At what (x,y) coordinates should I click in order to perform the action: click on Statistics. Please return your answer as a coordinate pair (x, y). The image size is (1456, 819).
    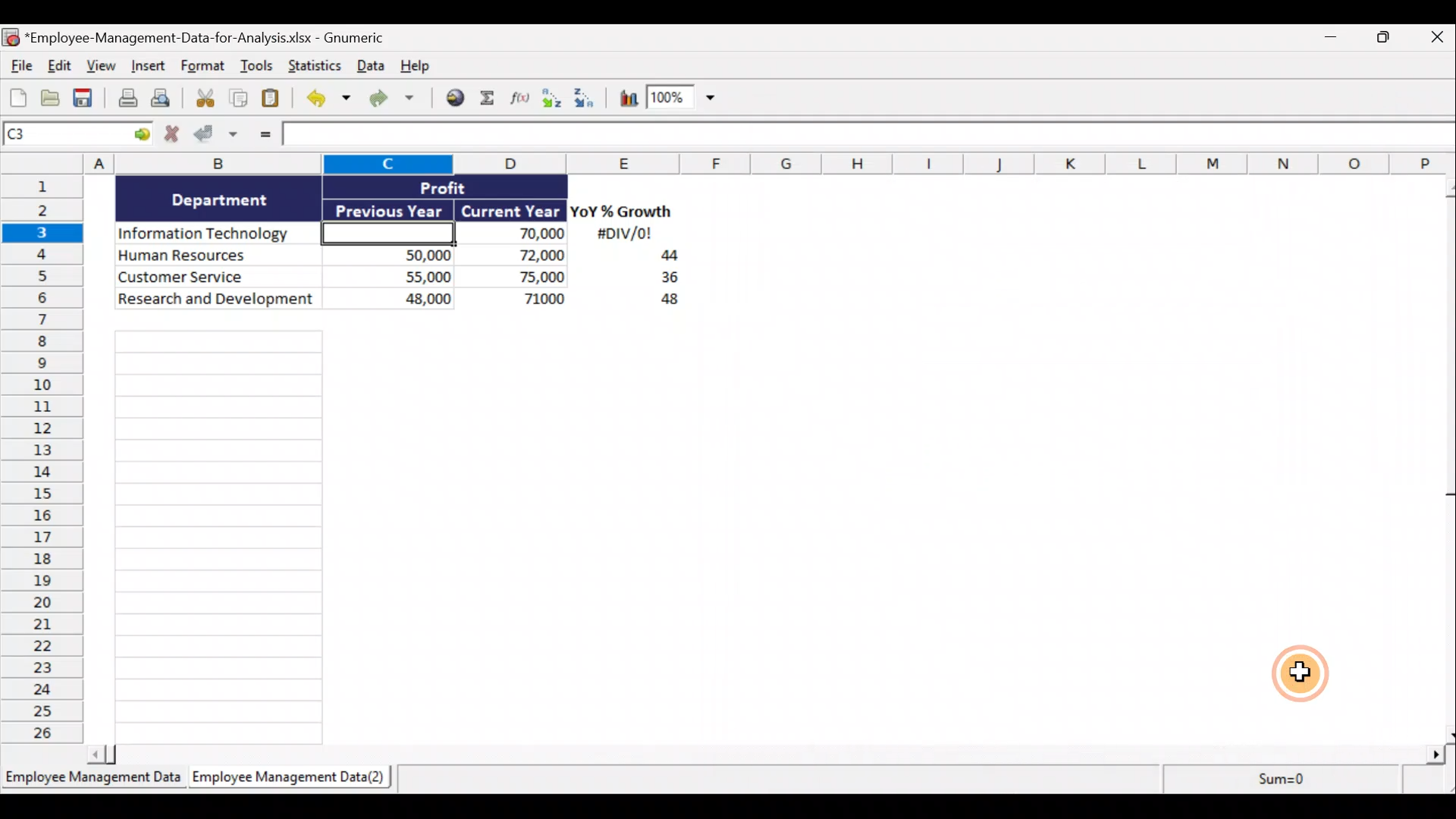
    Looking at the image, I should click on (313, 65).